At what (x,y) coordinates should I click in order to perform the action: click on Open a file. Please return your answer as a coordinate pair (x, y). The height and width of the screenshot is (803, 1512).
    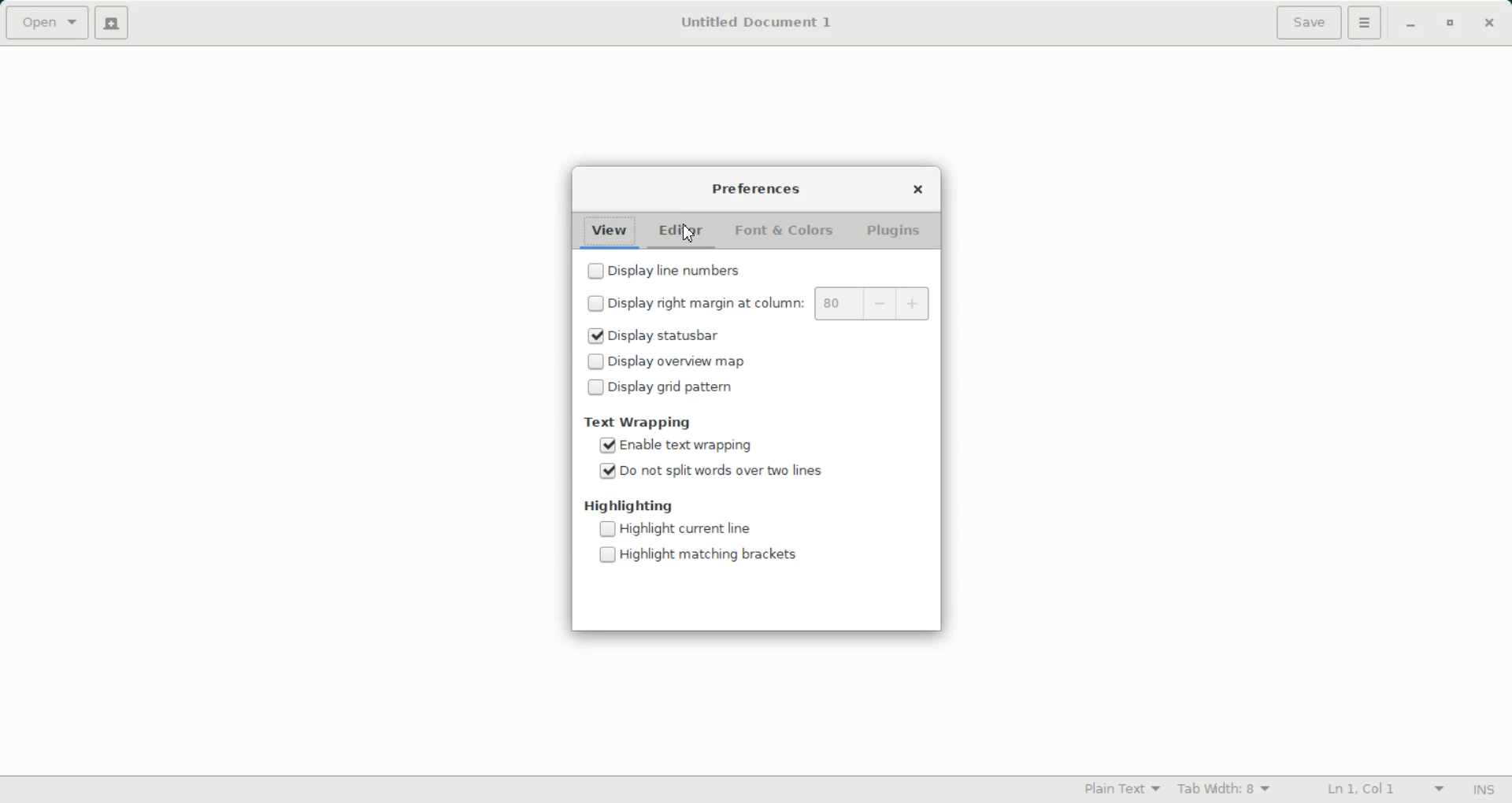
    Looking at the image, I should click on (46, 22).